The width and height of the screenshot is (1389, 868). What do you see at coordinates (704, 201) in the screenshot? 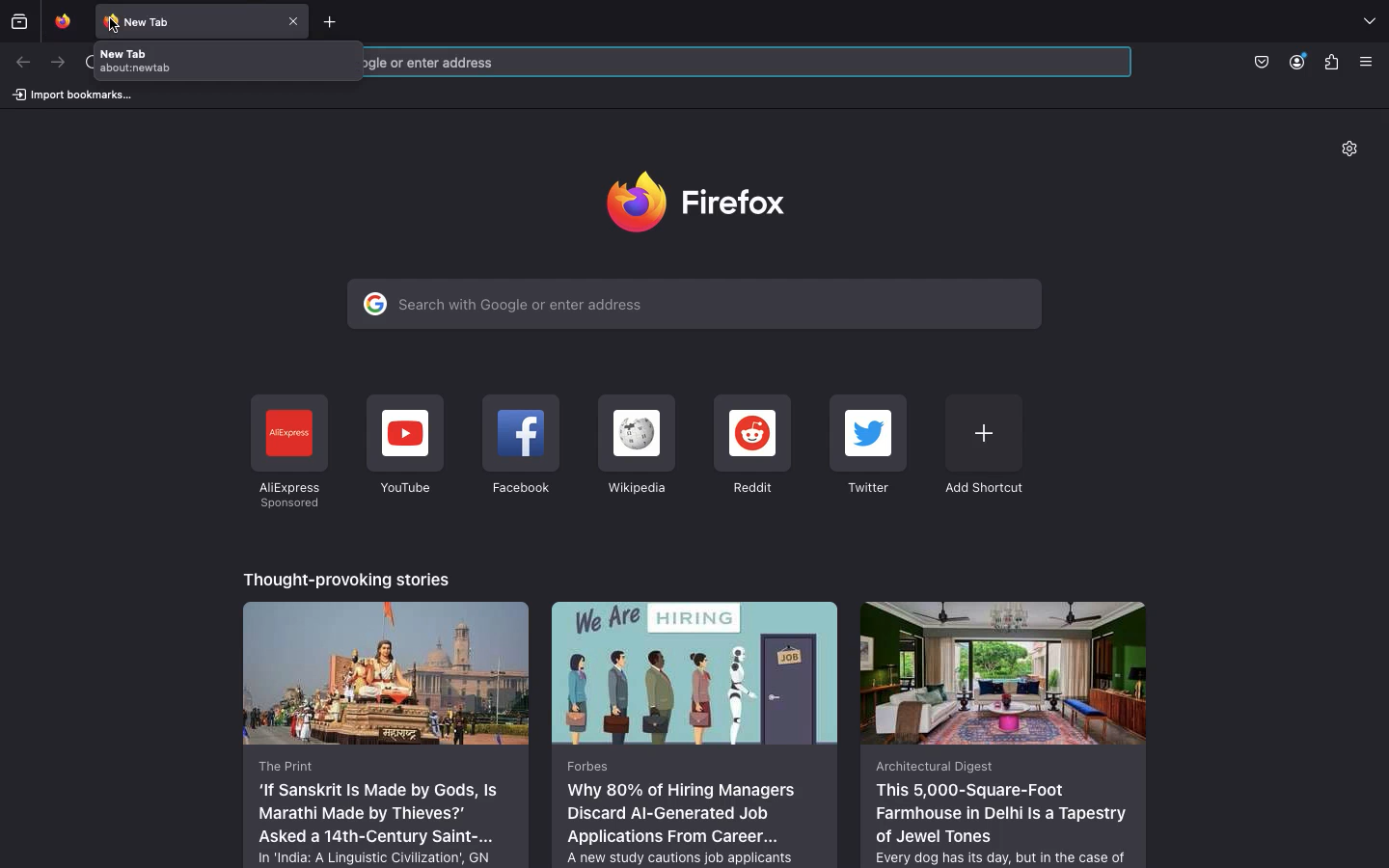
I see `Firefox logo` at bounding box center [704, 201].